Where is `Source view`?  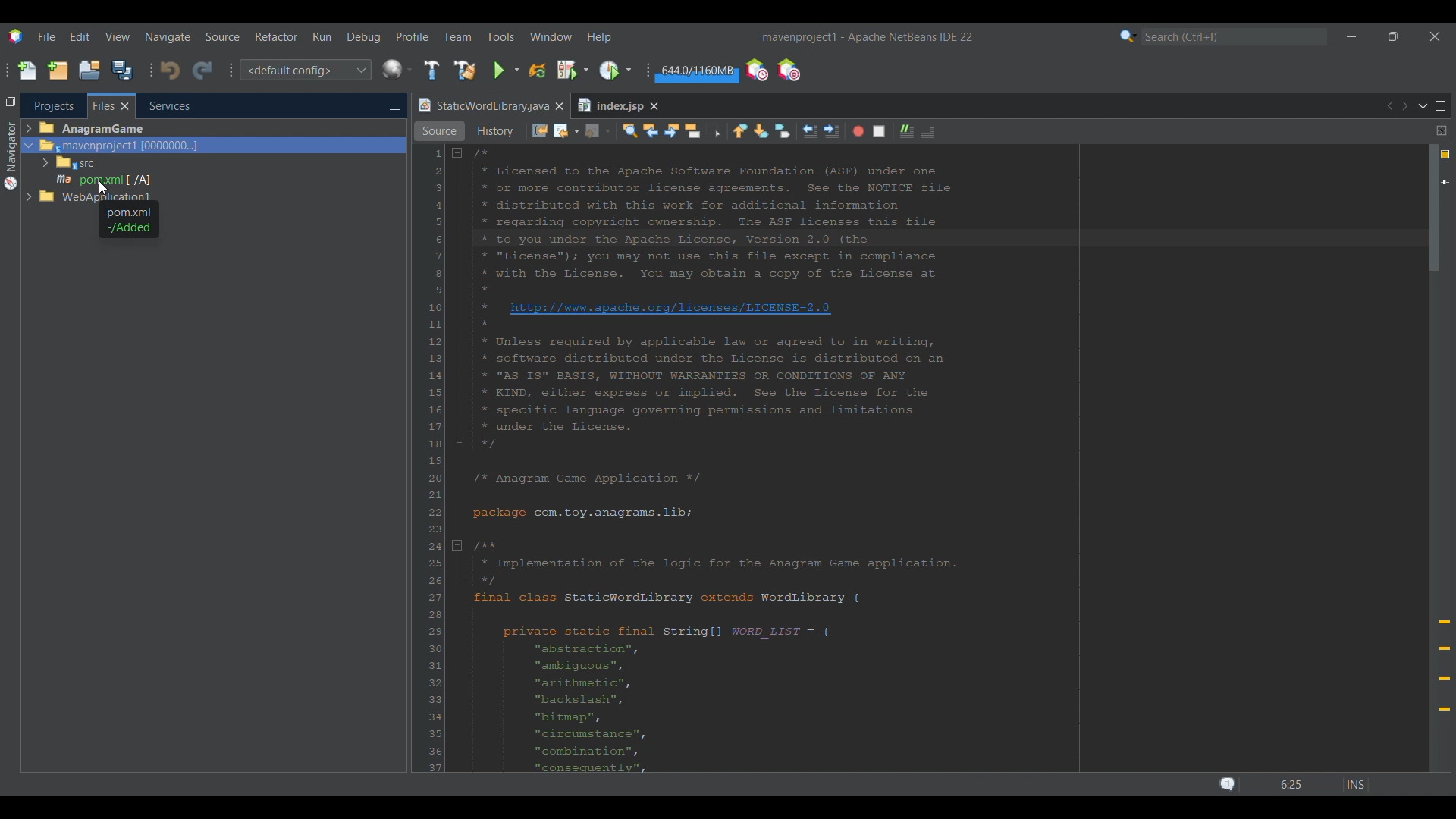 Source view is located at coordinates (439, 131).